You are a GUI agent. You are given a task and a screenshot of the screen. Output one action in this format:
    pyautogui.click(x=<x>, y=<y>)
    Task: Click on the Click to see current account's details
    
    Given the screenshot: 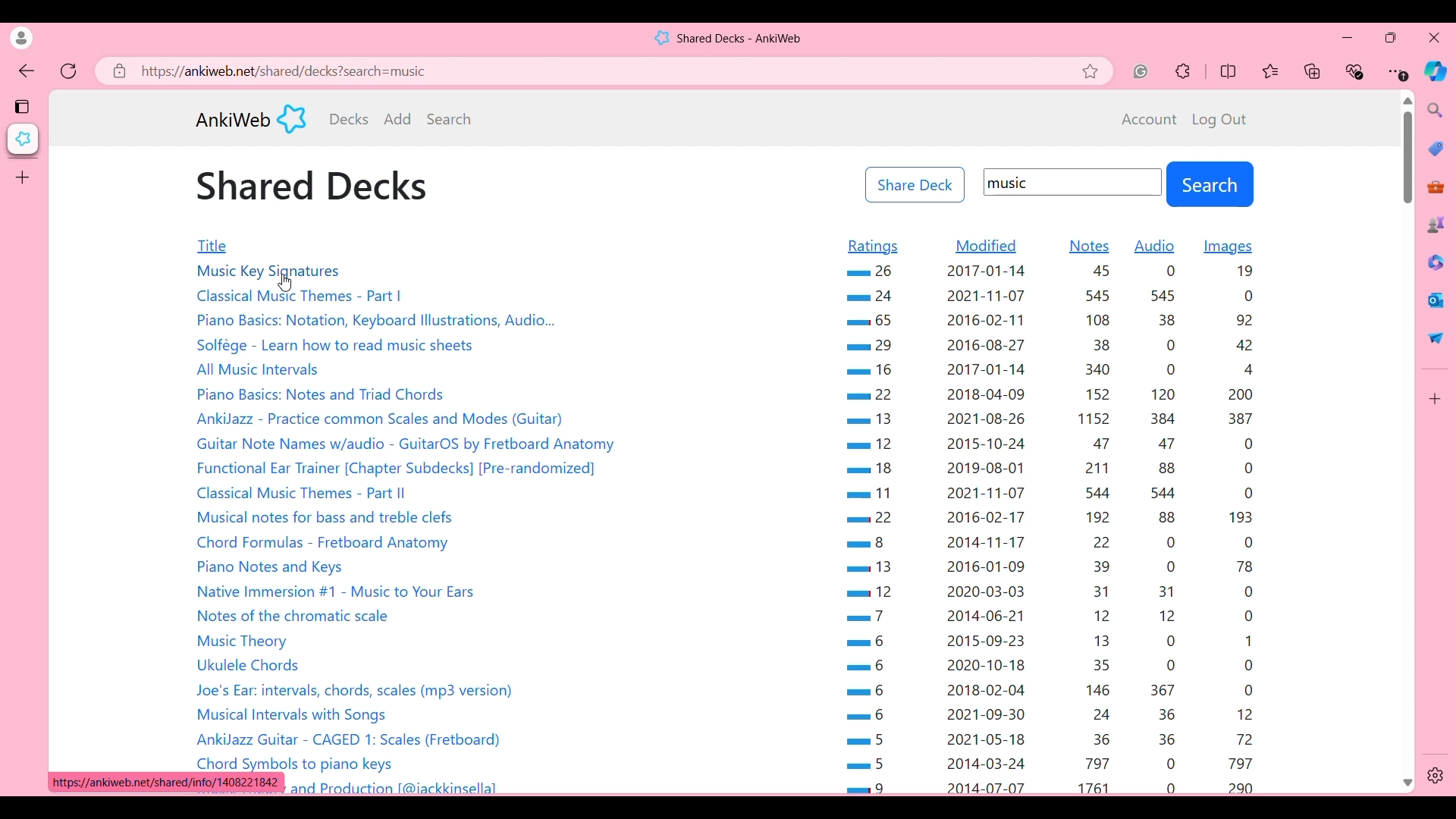 What is the action you would take?
    pyautogui.click(x=21, y=38)
    